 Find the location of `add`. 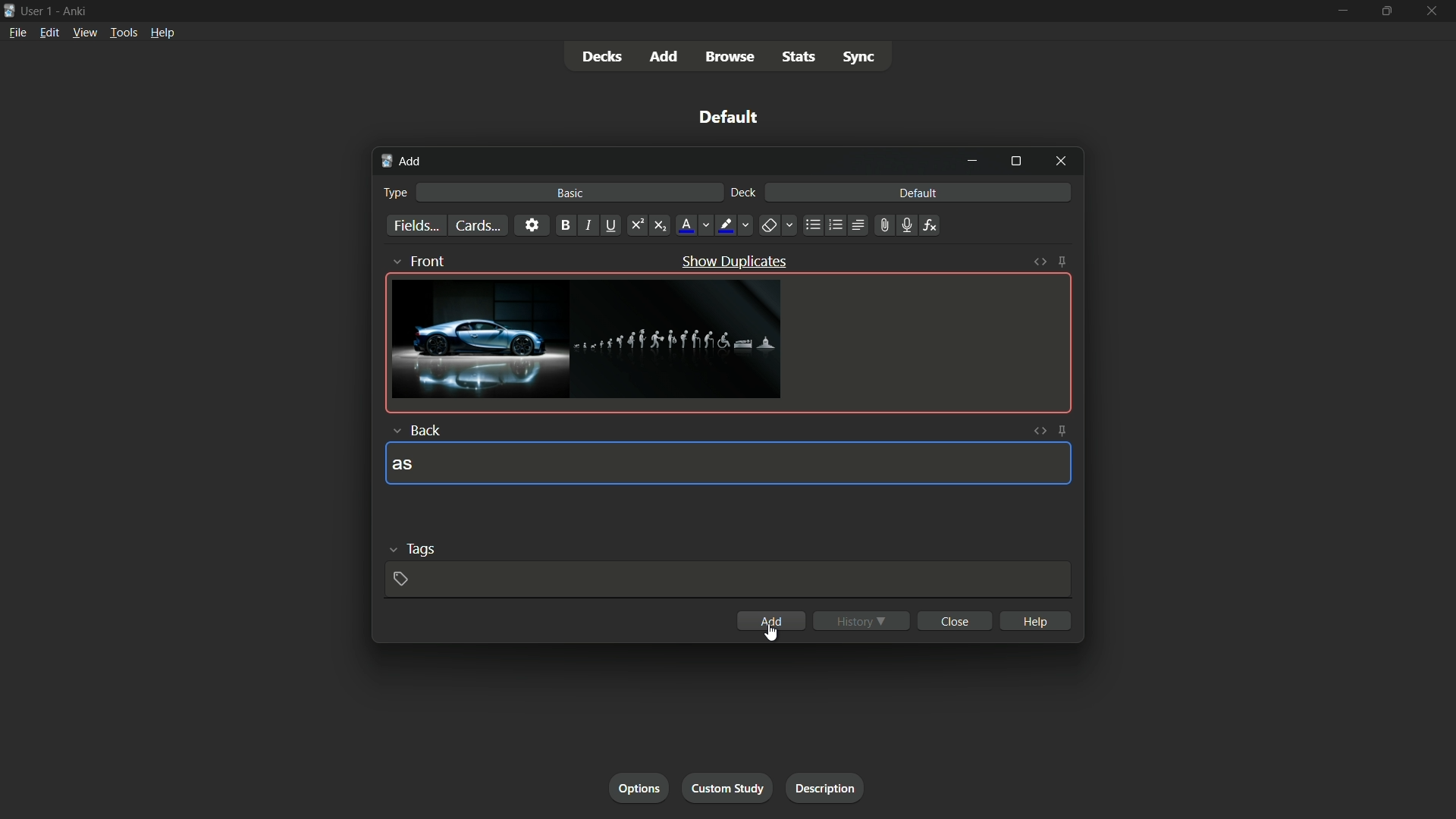

add is located at coordinates (662, 56).